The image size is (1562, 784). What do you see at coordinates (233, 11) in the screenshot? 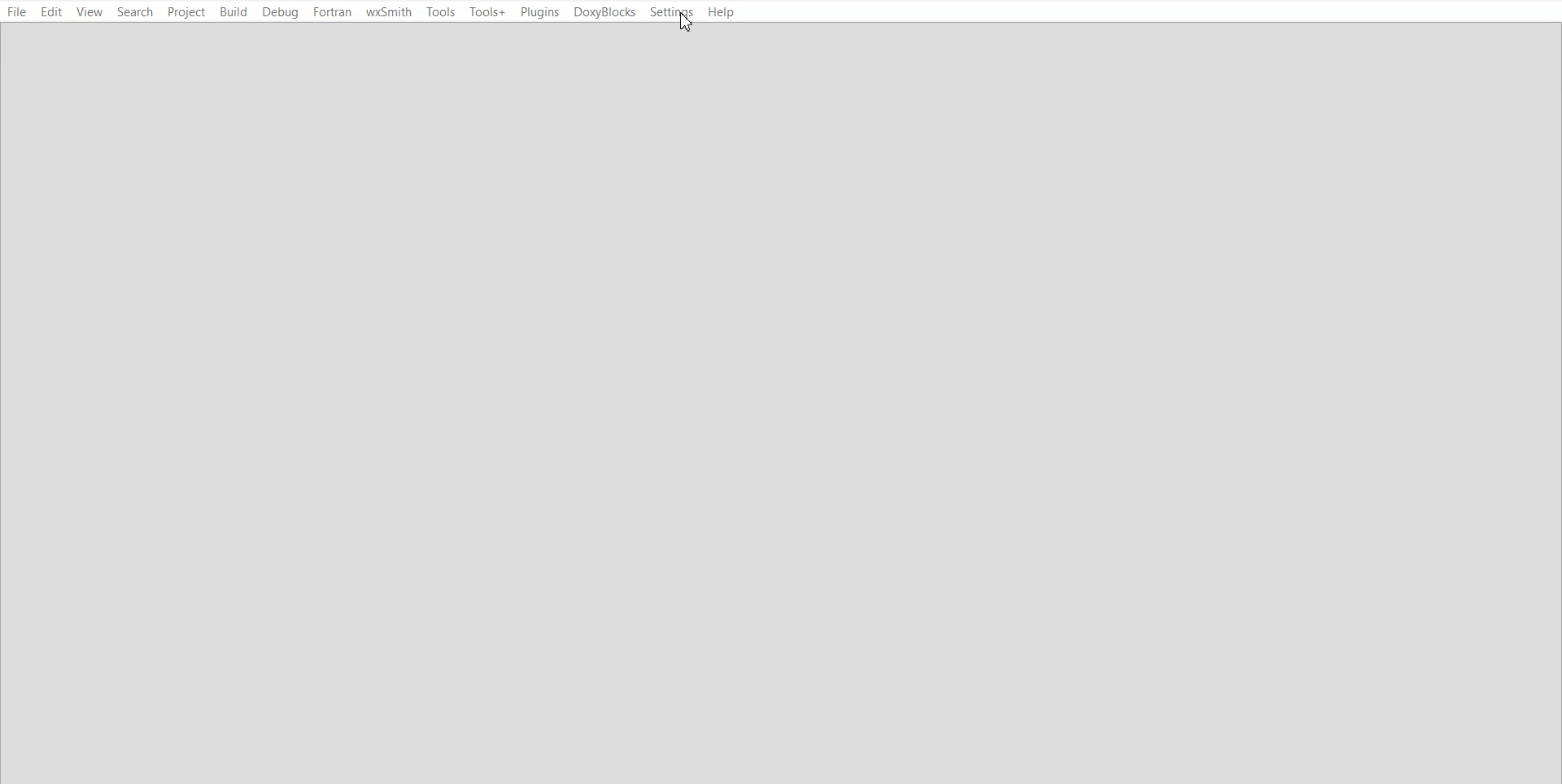
I see `Build` at bounding box center [233, 11].